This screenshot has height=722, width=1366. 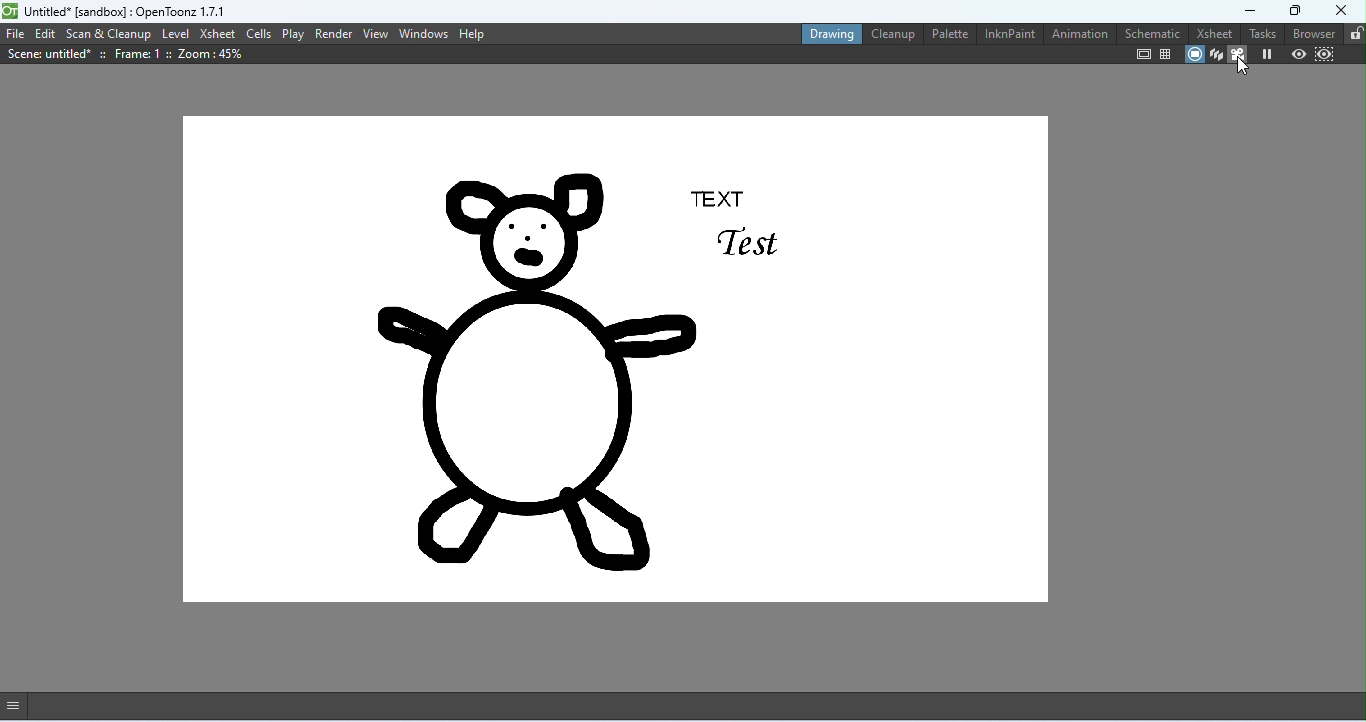 I want to click on scan & cleanup, so click(x=110, y=34).